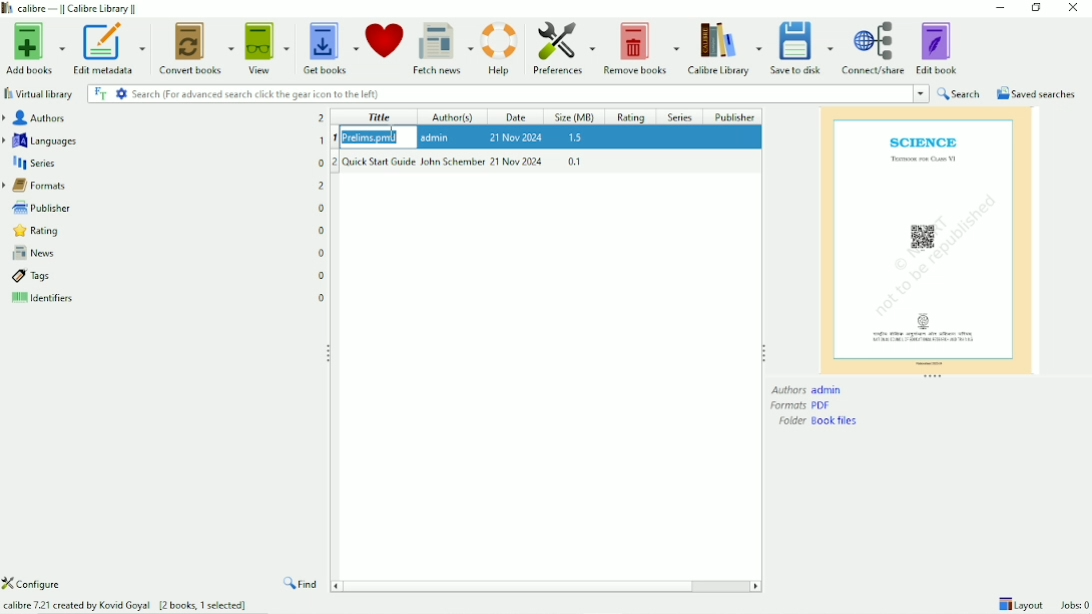  What do you see at coordinates (735, 116) in the screenshot?
I see `Publisher` at bounding box center [735, 116].